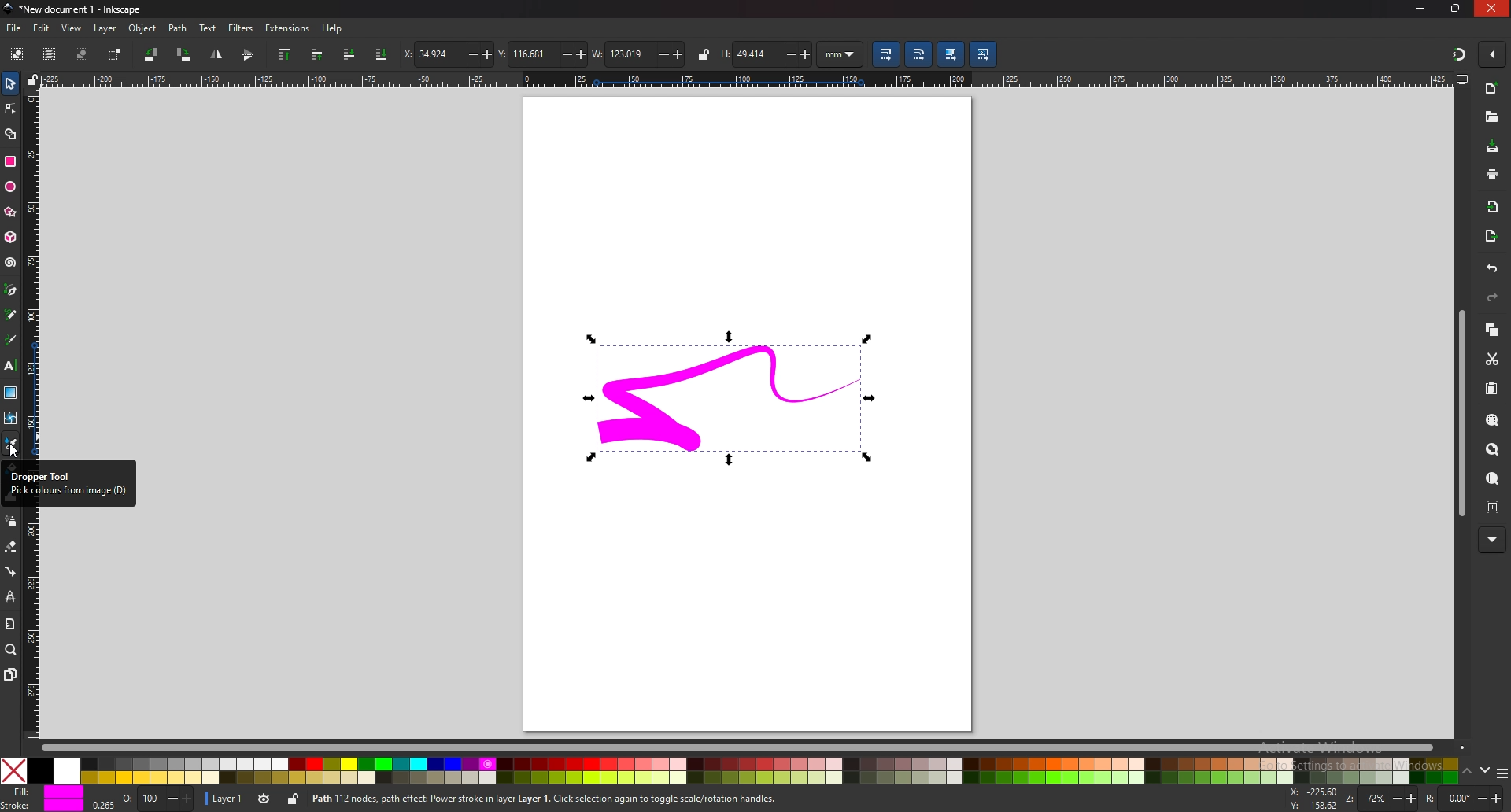 The width and height of the screenshot is (1511, 812). Describe the element at coordinates (1456, 9) in the screenshot. I see `resize` at that location.